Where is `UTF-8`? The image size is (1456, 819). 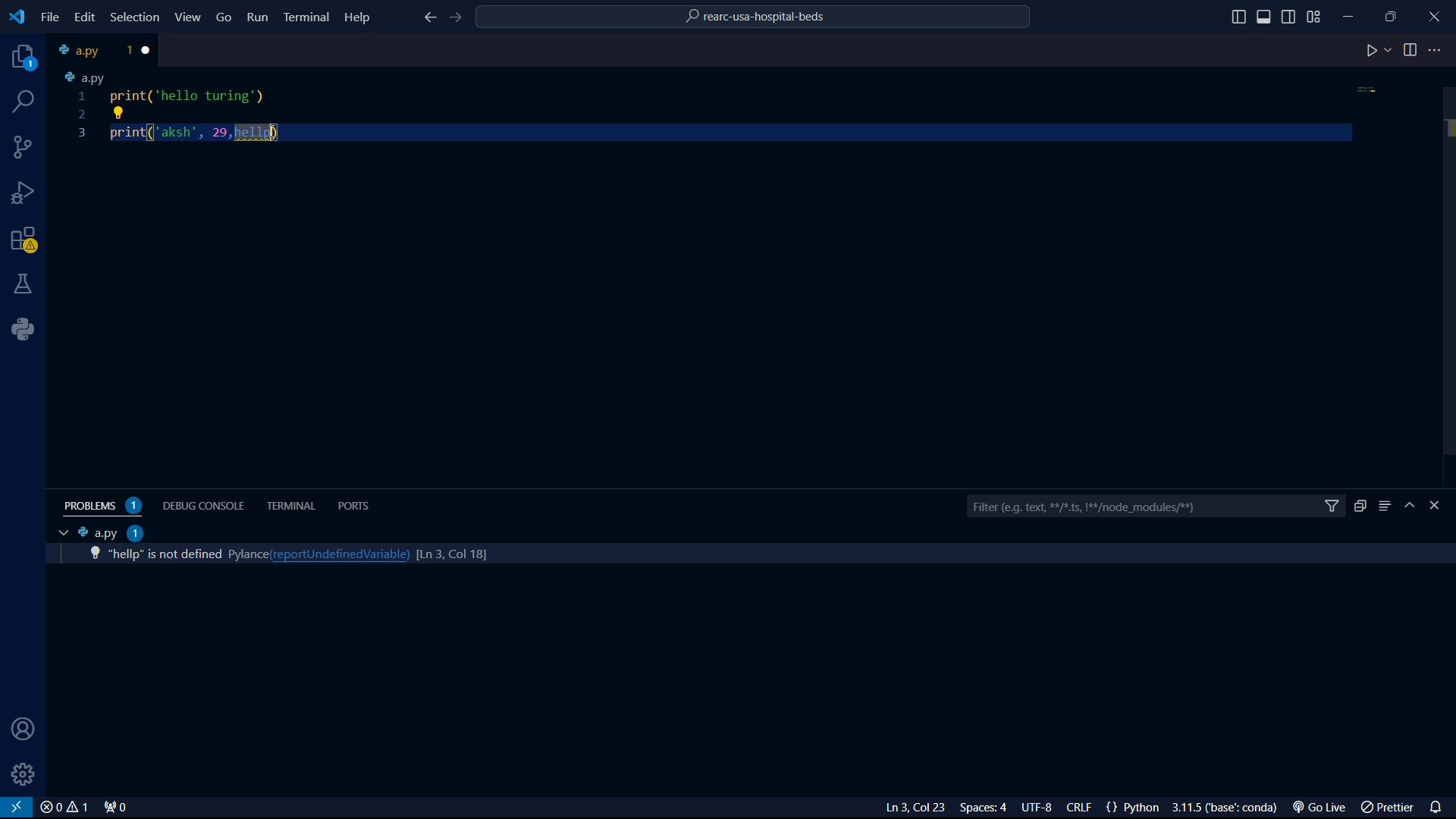
UTF-8 is located at coordinates (1043, 808).